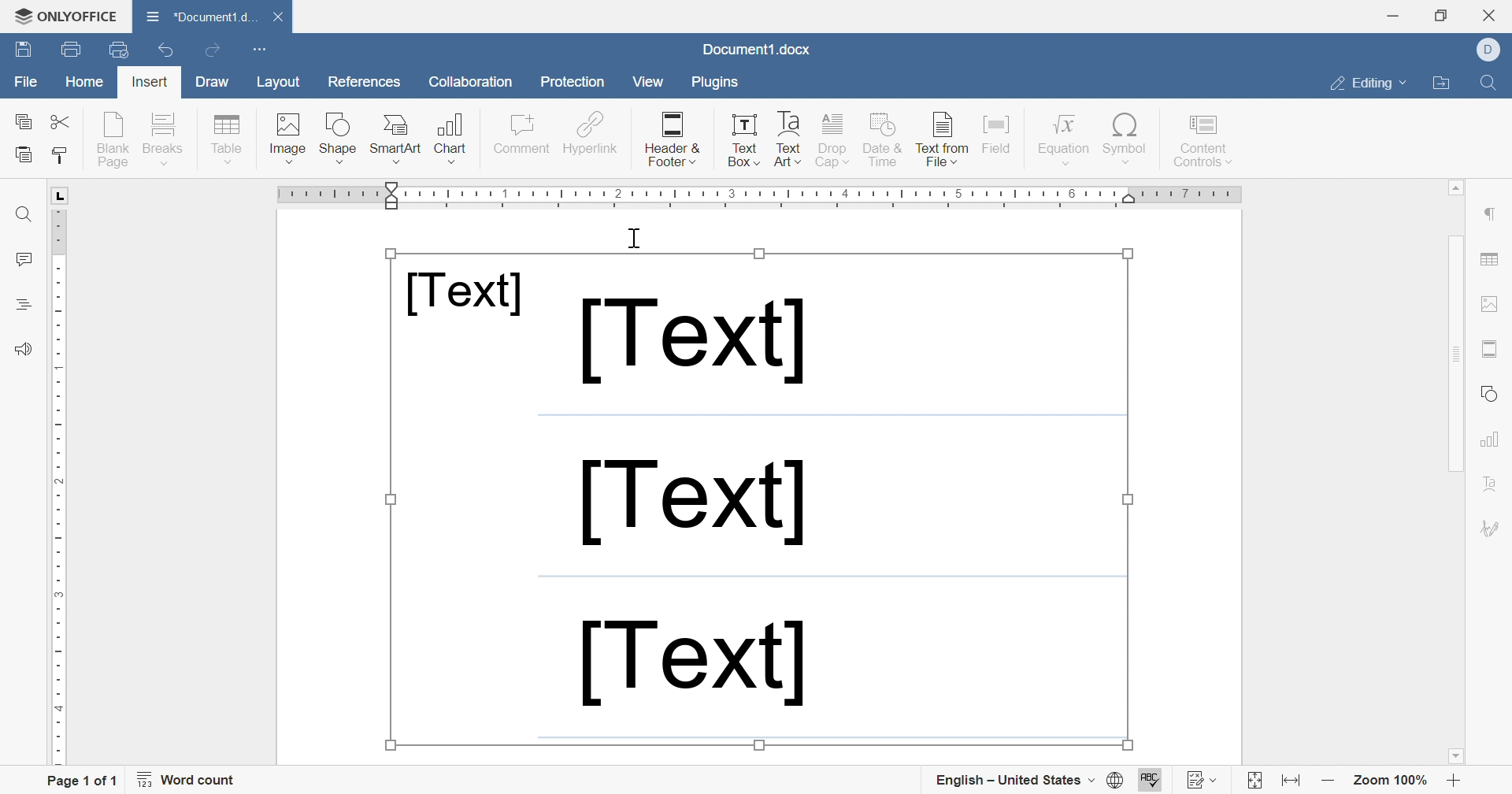  Describe the element at coordinates (1492, 258) in the screenshot. I see `Table settings` at that location.